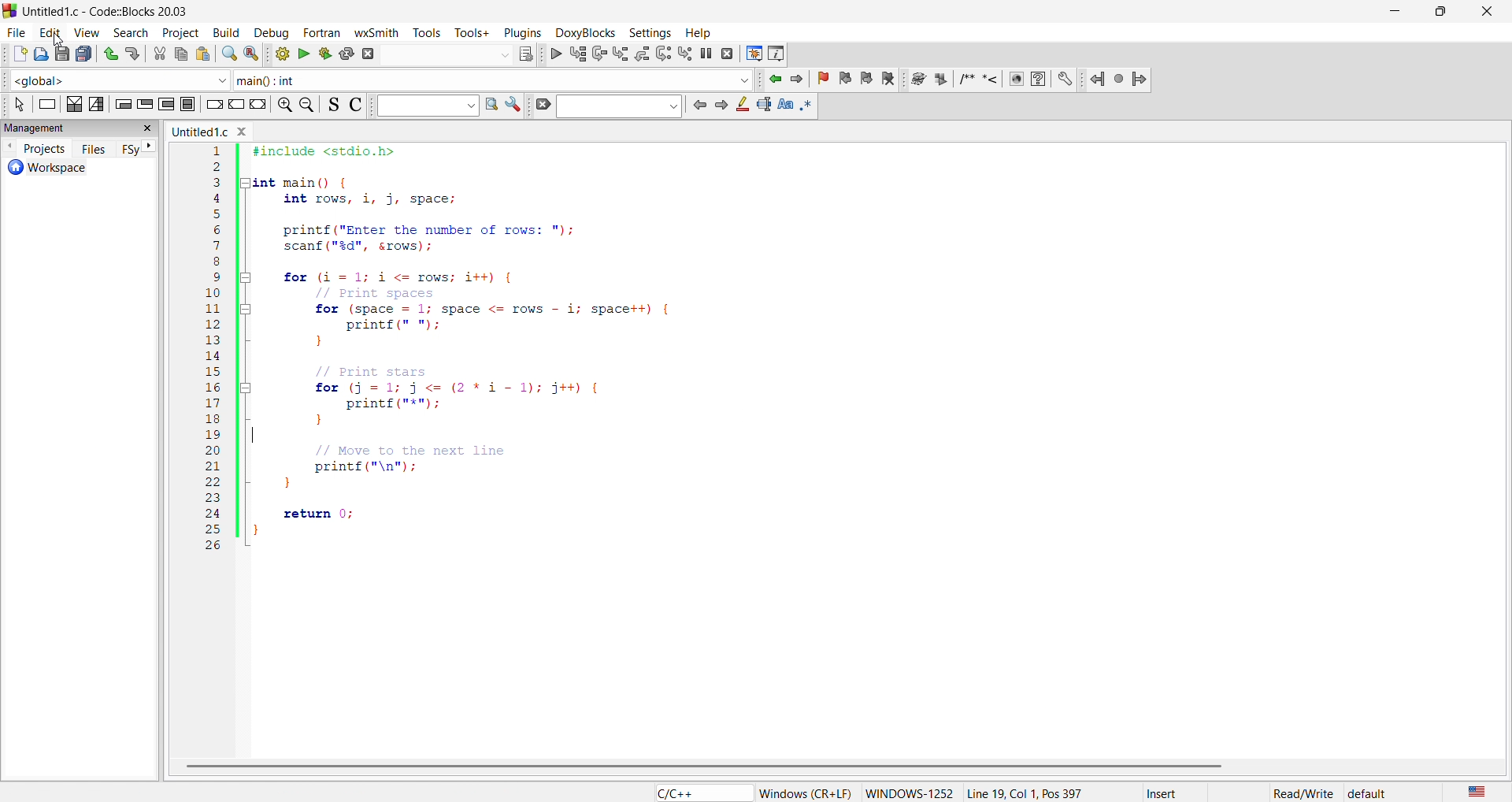 This screenshot has height=802, width=1512. I want to click on next bookmark, so click(868, 77).